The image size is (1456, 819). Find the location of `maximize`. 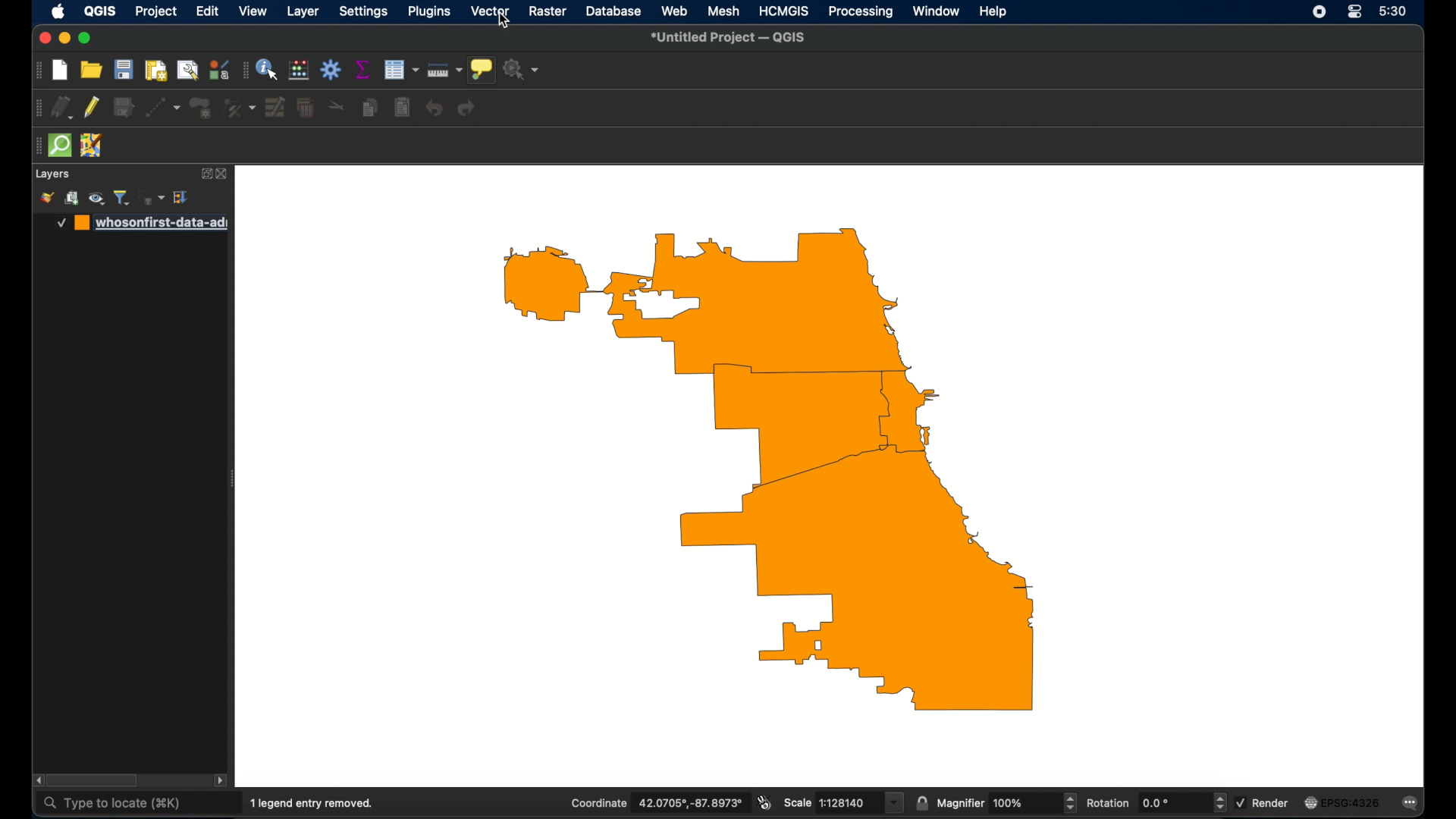

maximize is located at coordinates (86, 38).